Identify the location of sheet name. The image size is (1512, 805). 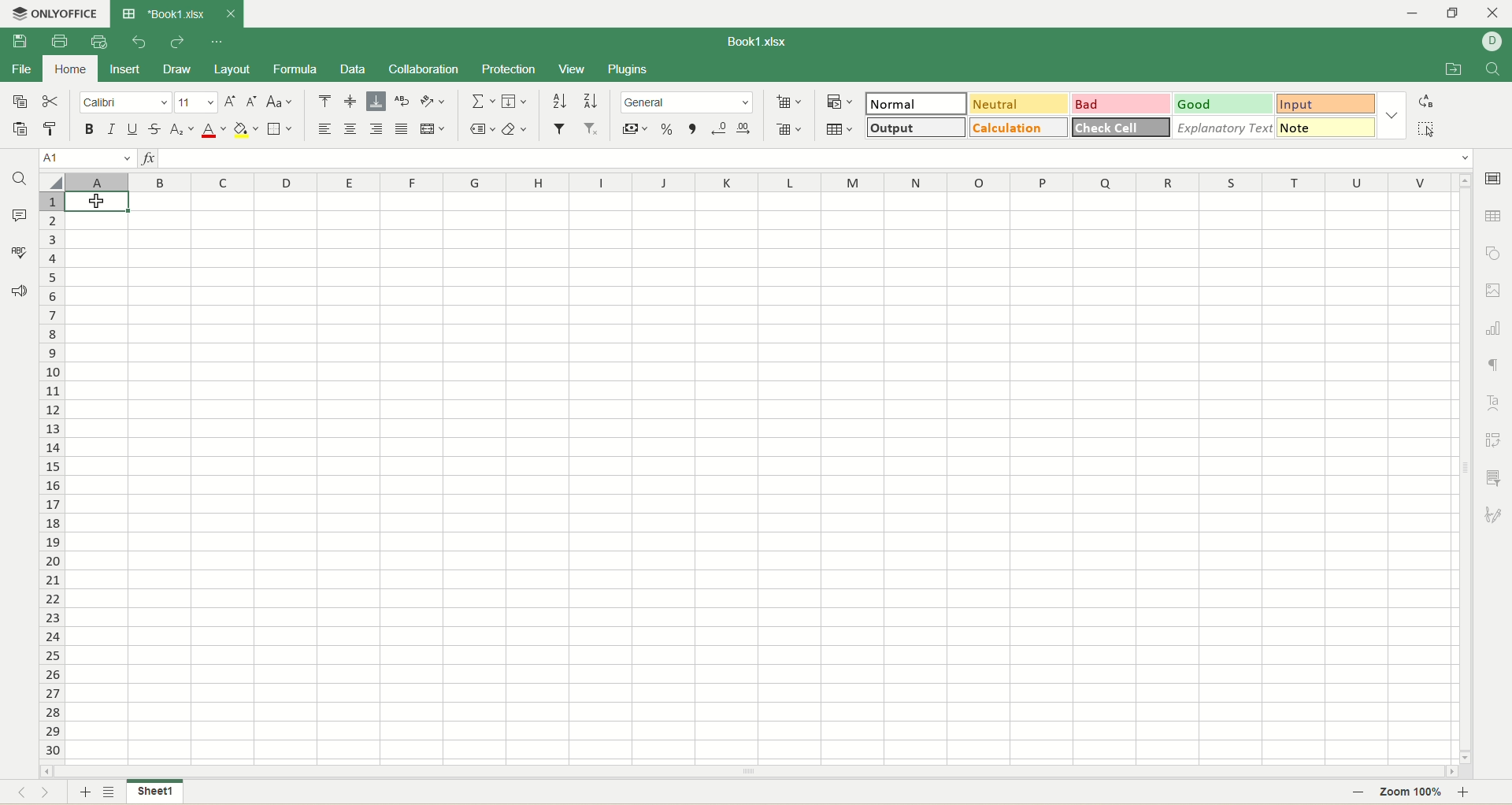
(154, 792).